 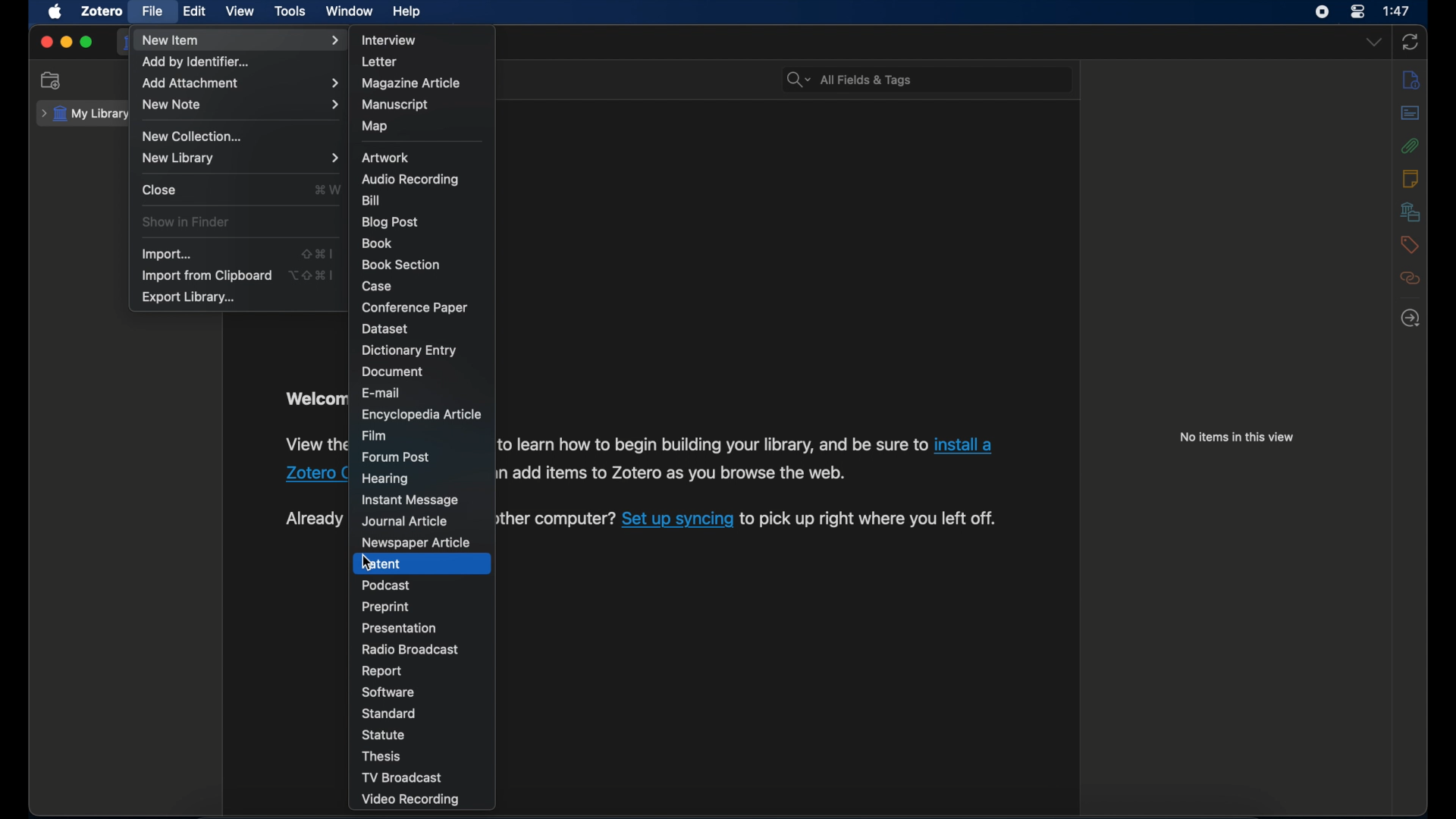 I want to click on close, so click(x=159, y=190).